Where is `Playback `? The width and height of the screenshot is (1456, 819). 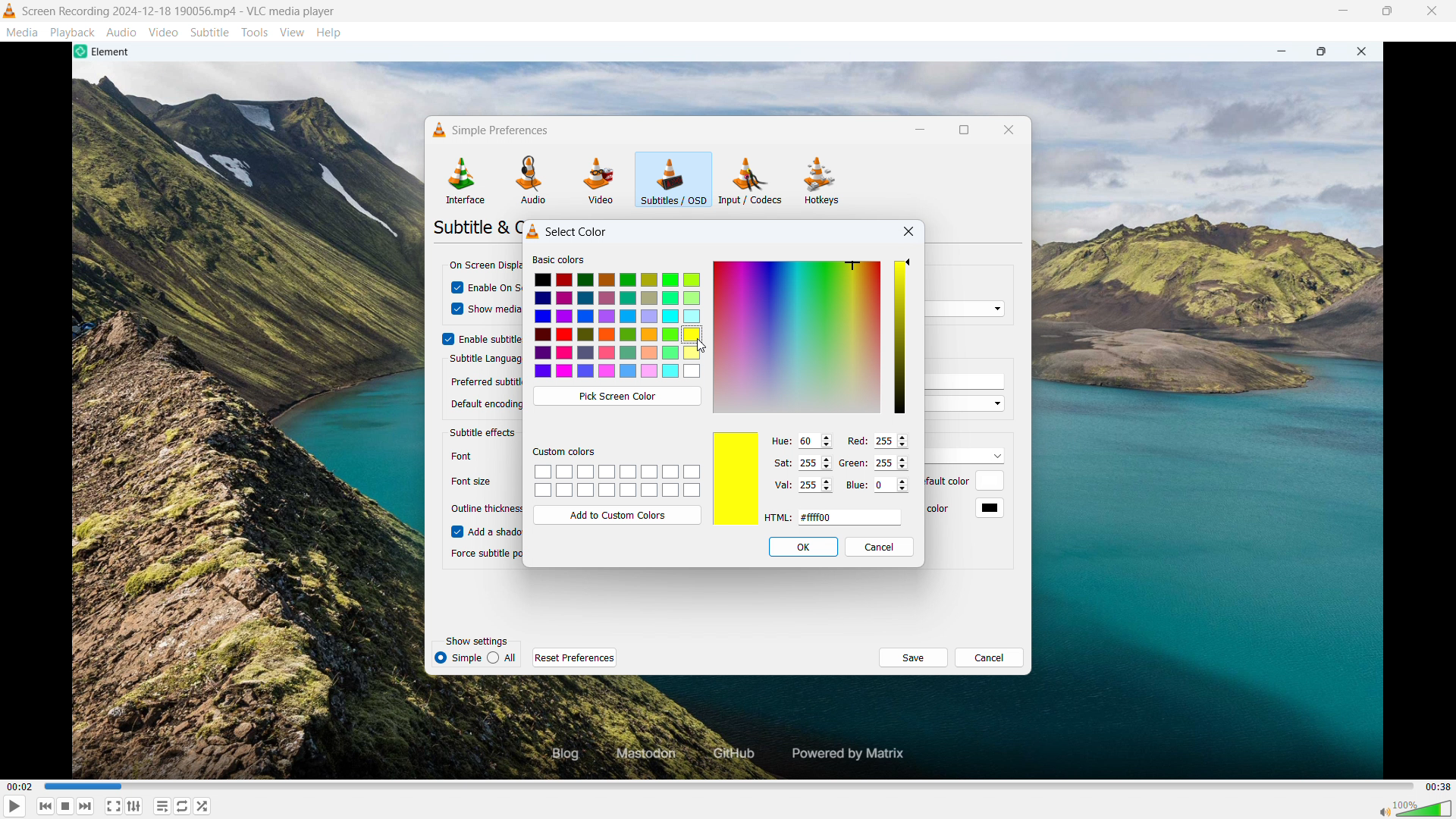
Playback  is located at coordinates (73, 32).